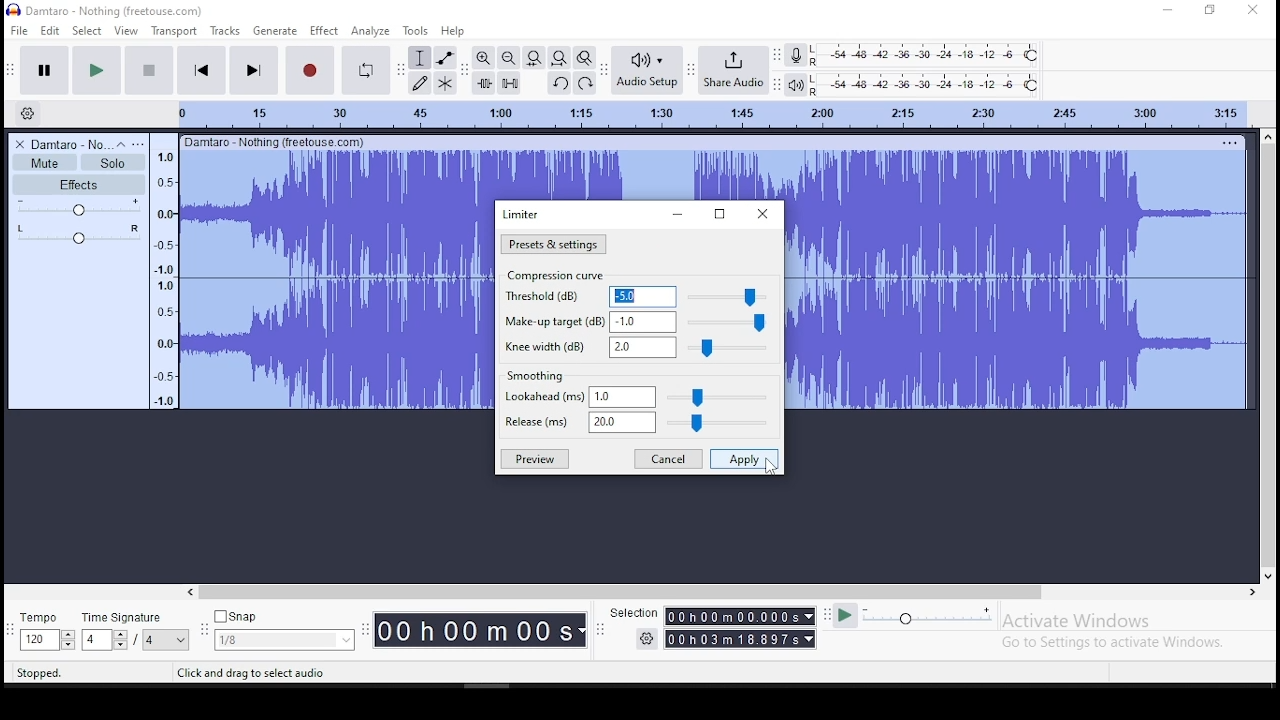 The height and width of the screenshot is (720, 1280). What do you see at coordinates (274, 30) in the screenshot?
I see `generate` at bounding box center [274, 30].